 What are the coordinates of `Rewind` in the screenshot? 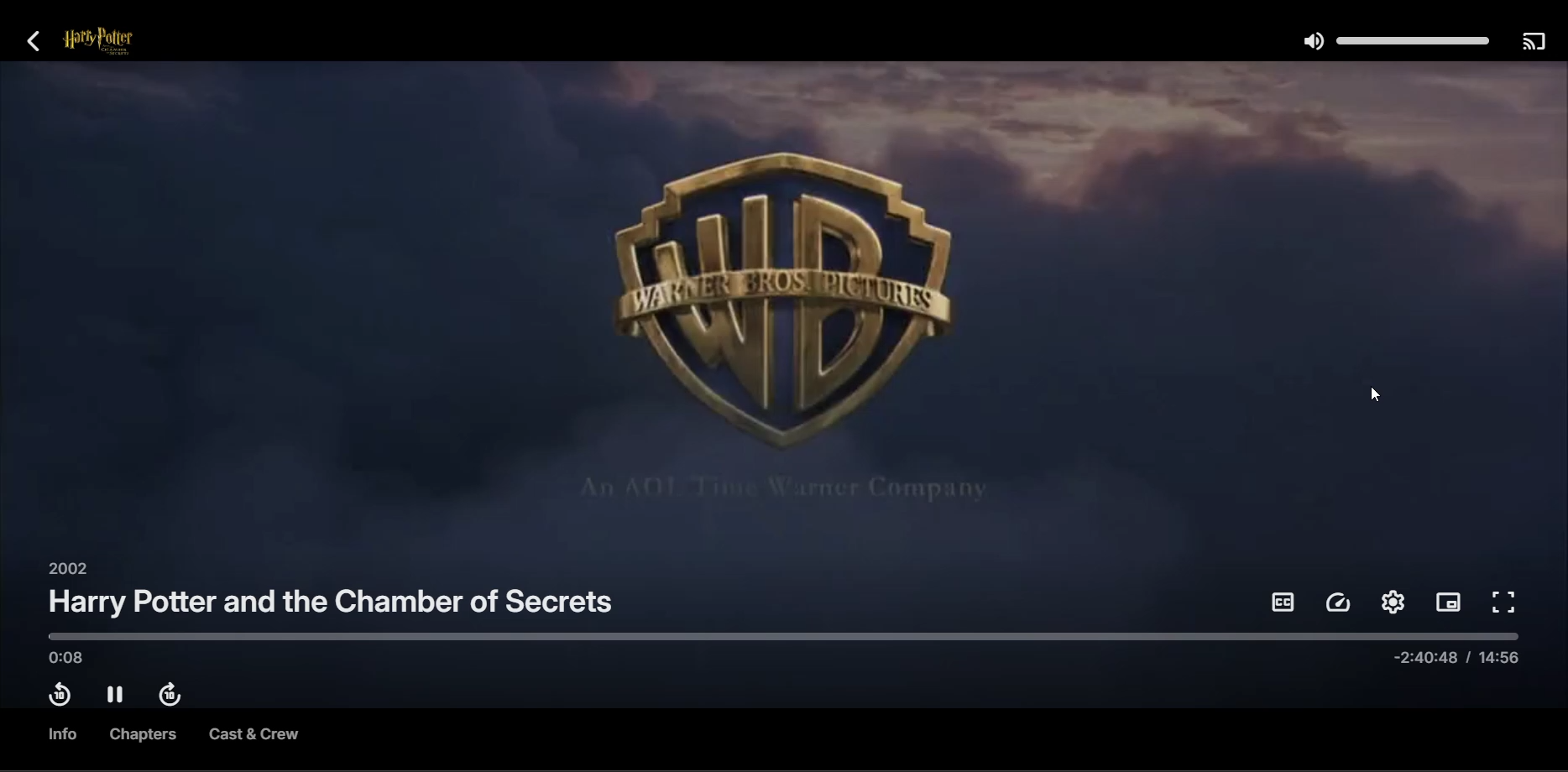 It's located at (58, 697).